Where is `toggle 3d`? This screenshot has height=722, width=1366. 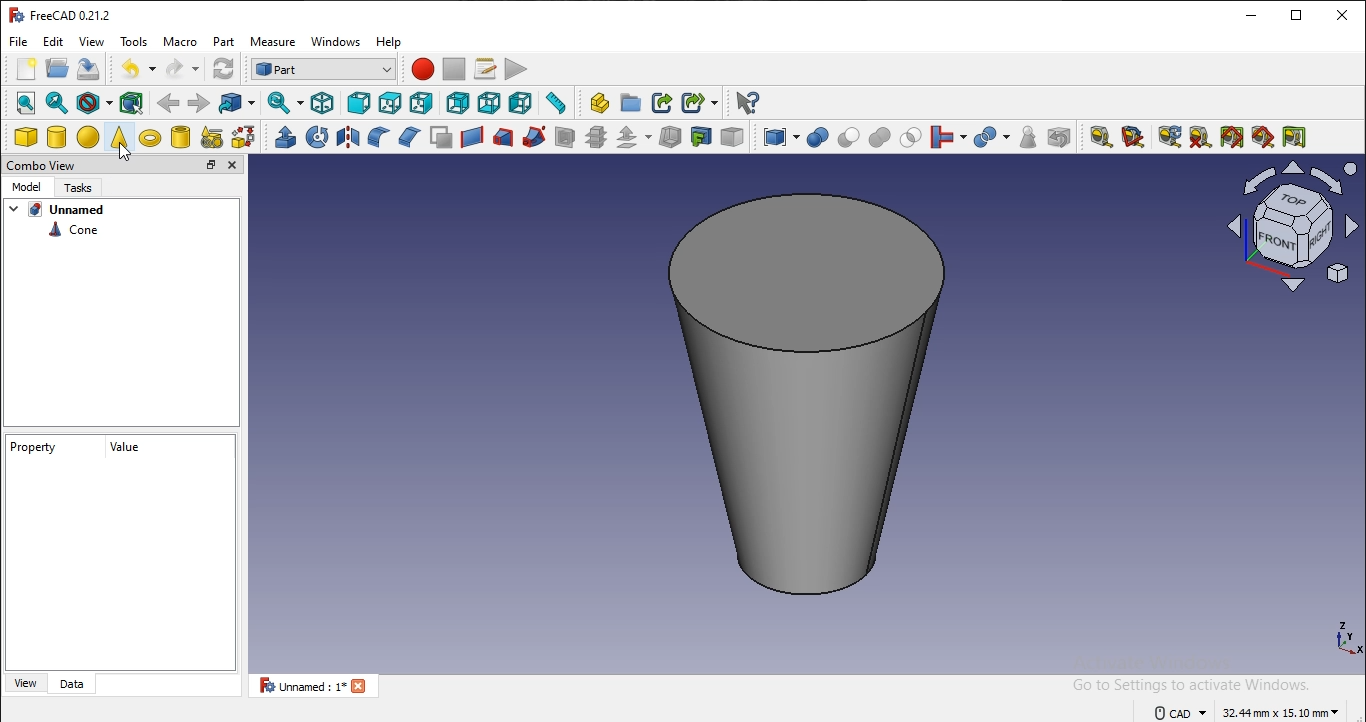 toggle 3d is located at coordinates (1262, 136).